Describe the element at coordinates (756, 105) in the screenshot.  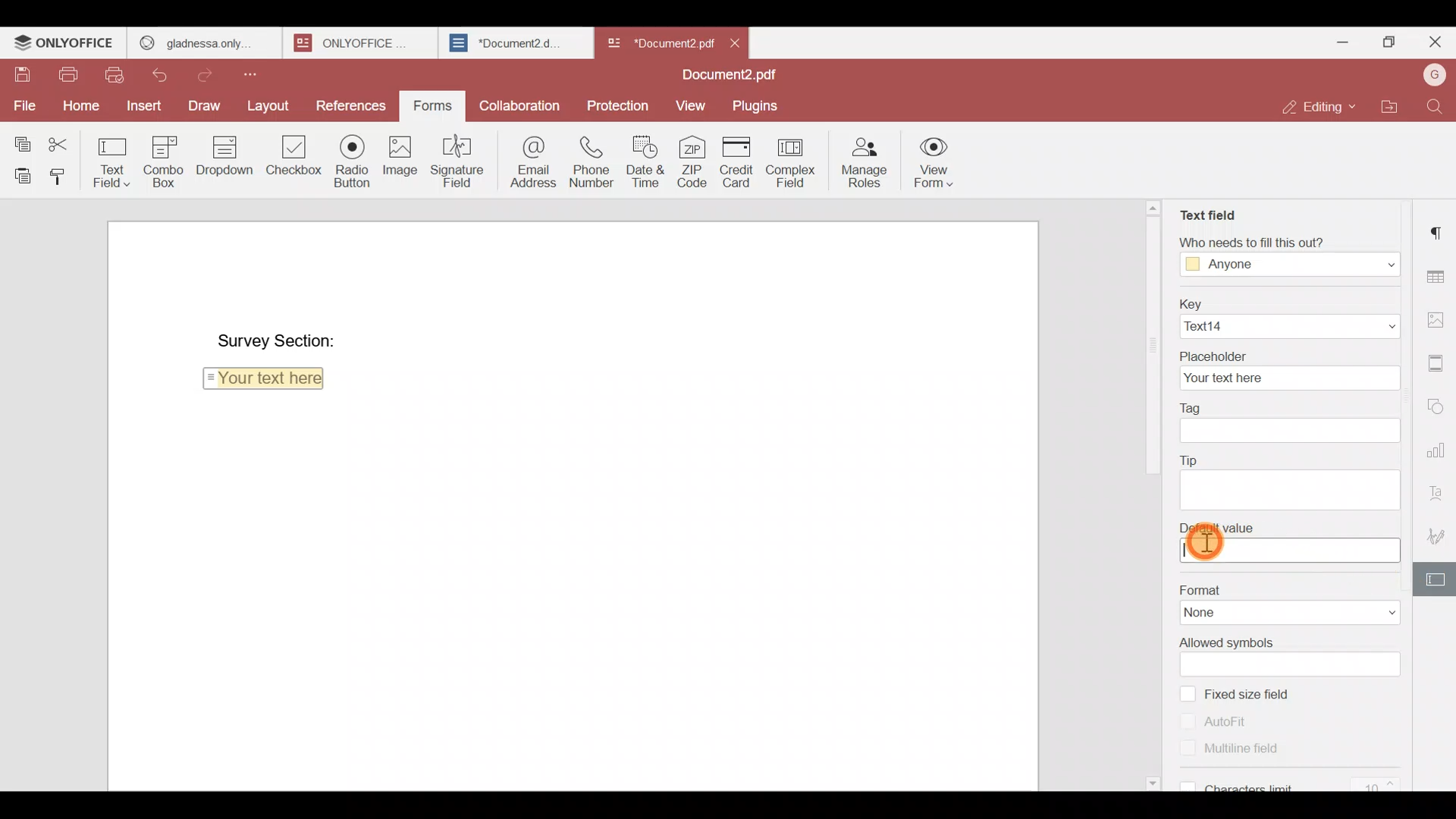
I see `Plugins` at that location.